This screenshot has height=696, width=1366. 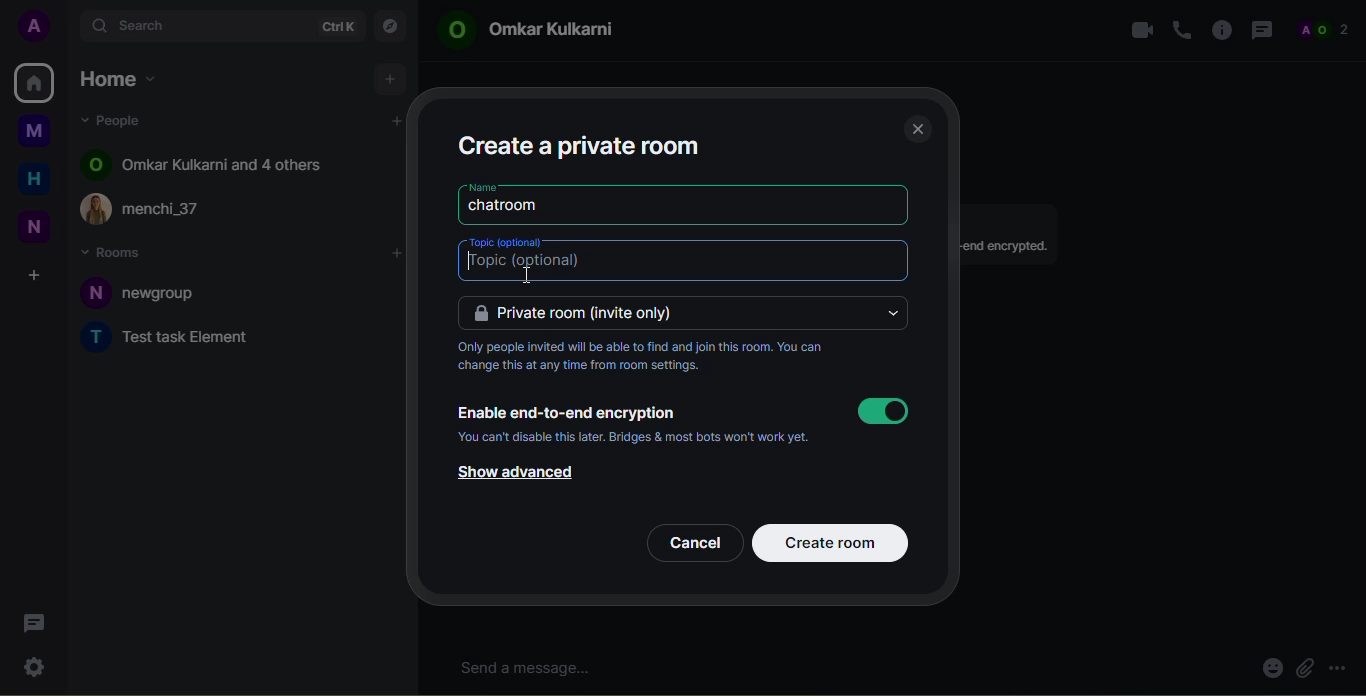 What do you see at coordinates (115, 251) in the screenshot?
I see `rooms` at bounding box center [115, 251].